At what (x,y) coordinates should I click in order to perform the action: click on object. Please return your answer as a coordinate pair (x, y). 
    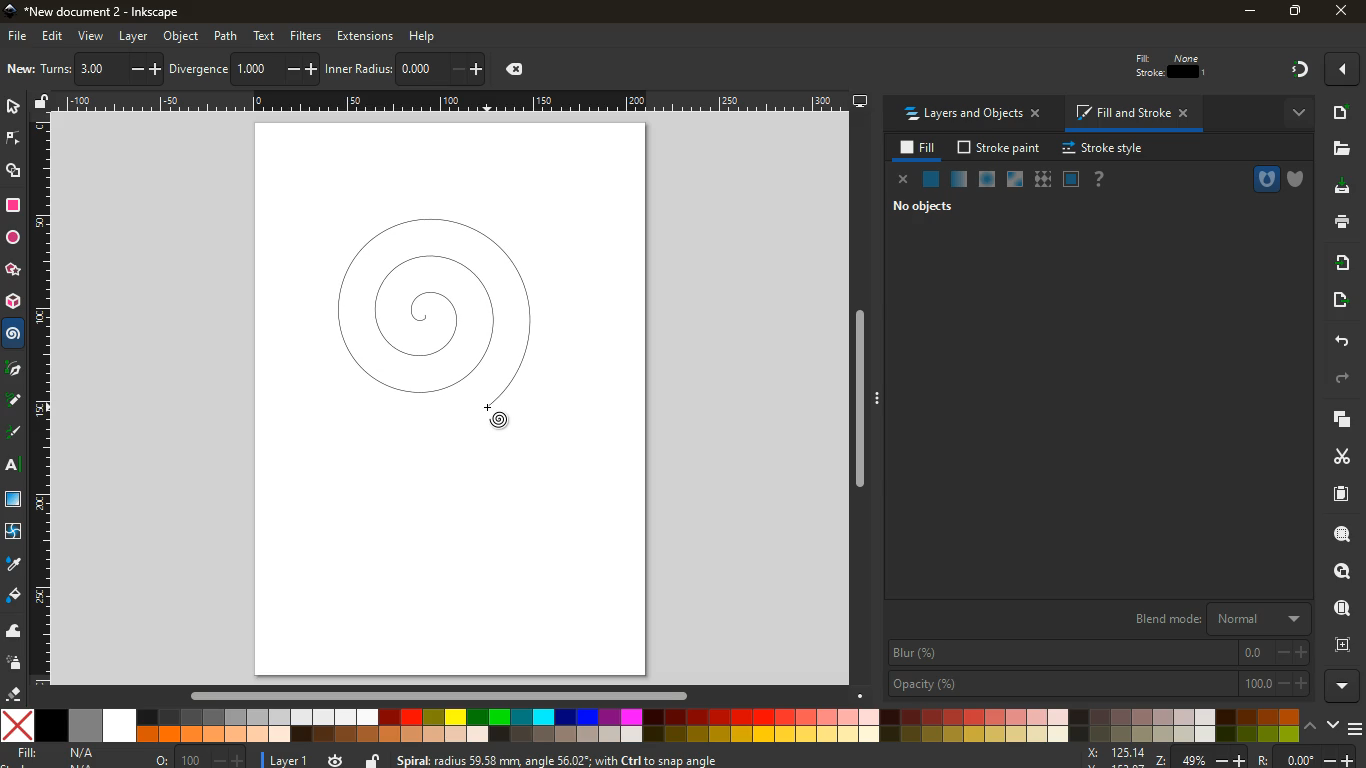
    Looking at the image, I should click on (180, 36).